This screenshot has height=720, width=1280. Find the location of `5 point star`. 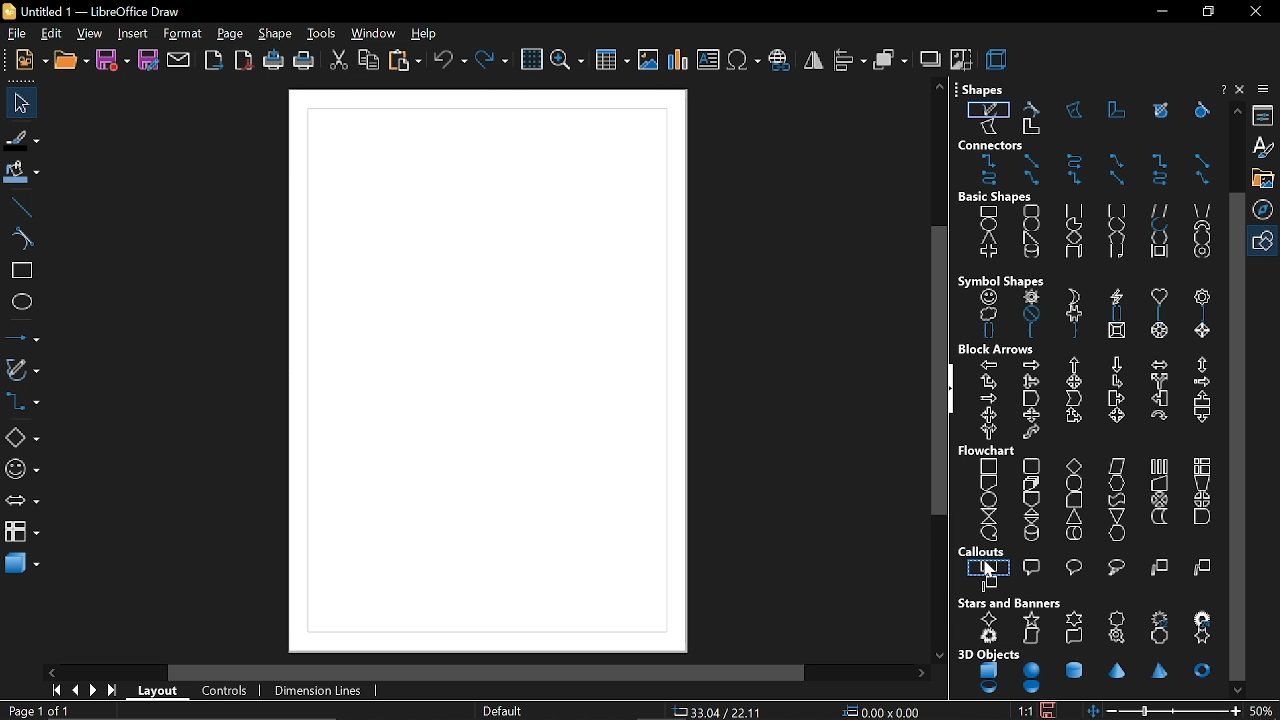

5 point star is located at coordinates (1030, 619).